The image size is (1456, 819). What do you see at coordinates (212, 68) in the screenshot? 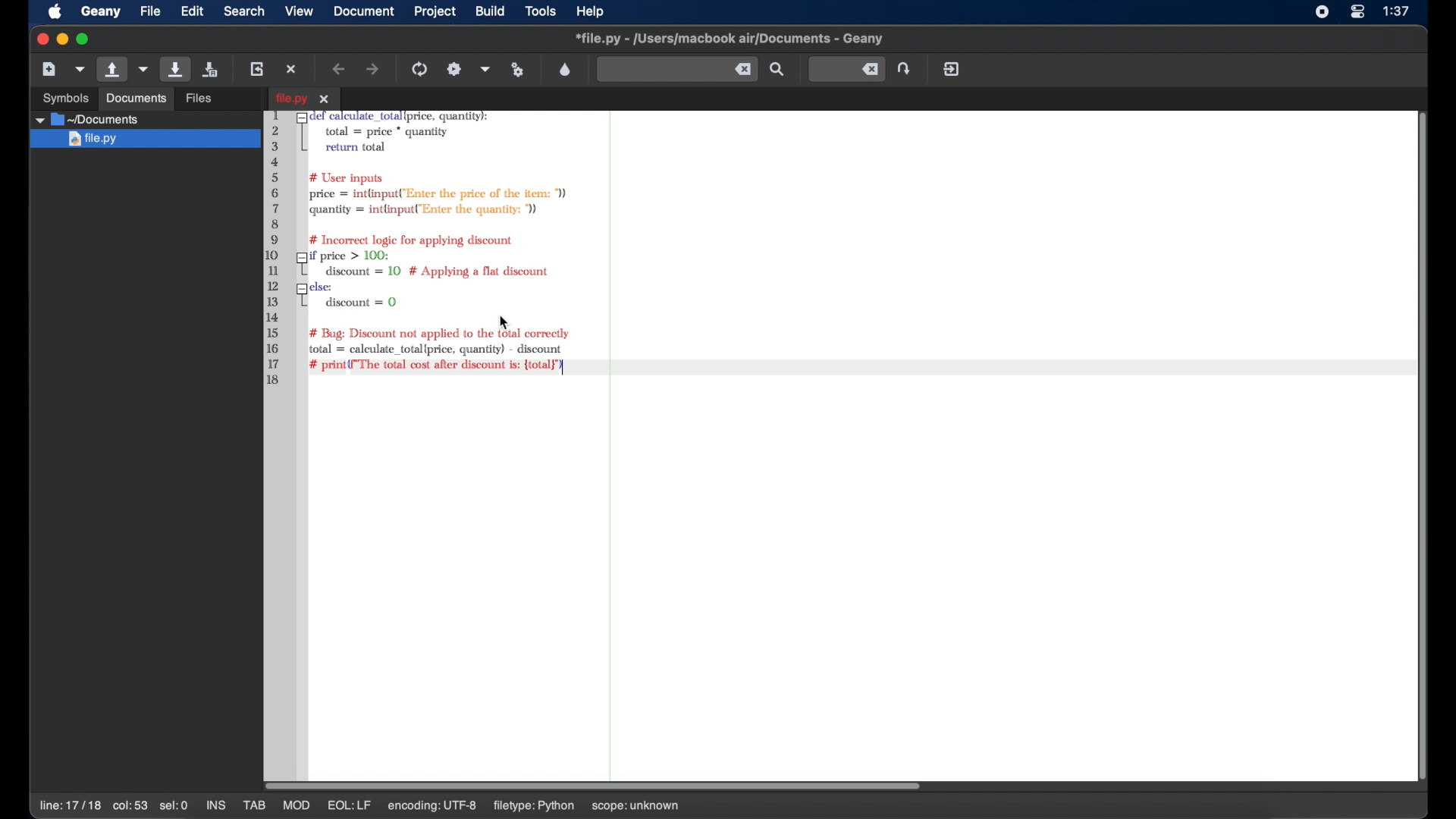
I see `save open files` at bounding box center [212, 68].